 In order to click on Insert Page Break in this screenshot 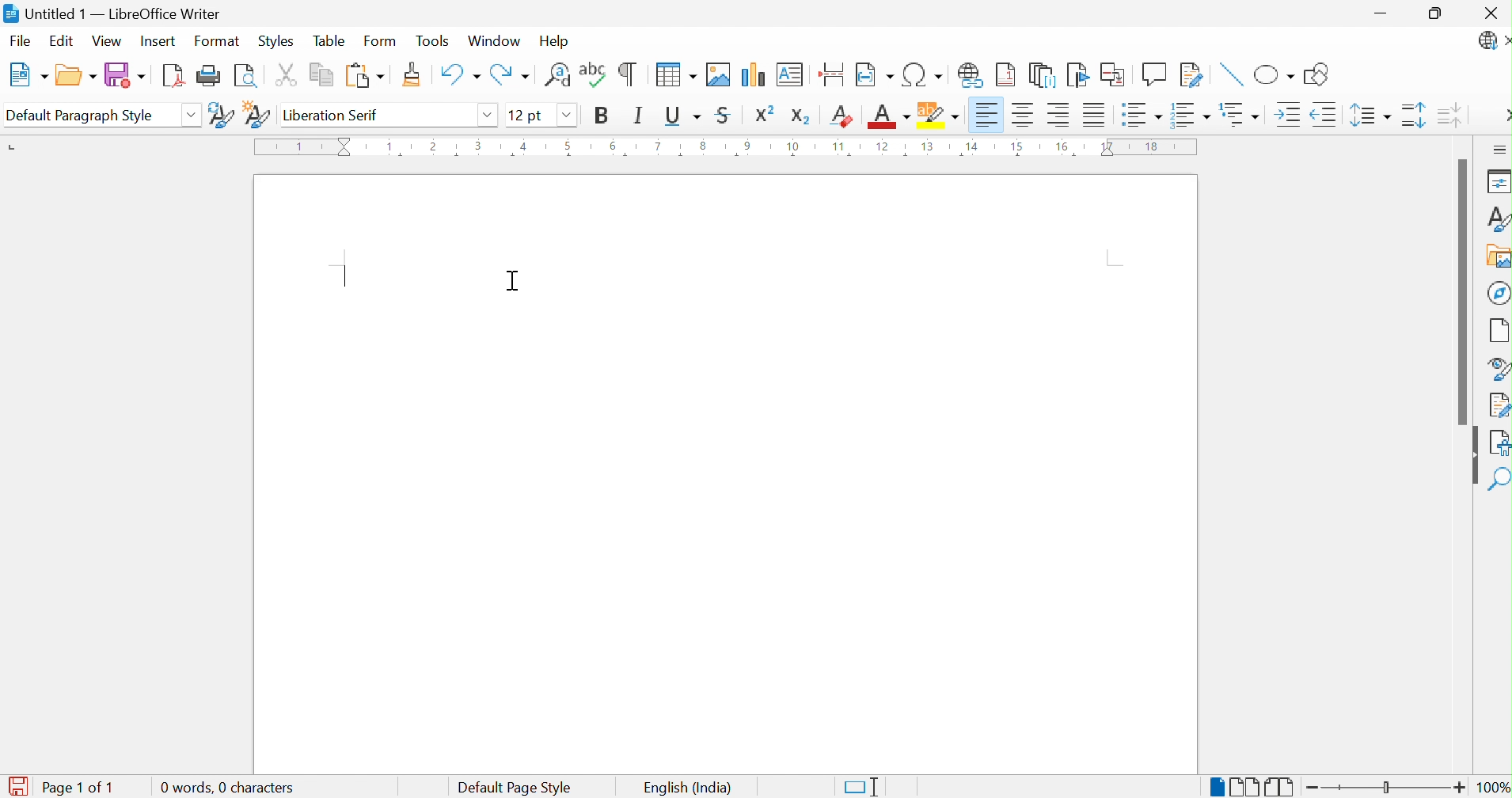, I will do `click(831, 74)`.